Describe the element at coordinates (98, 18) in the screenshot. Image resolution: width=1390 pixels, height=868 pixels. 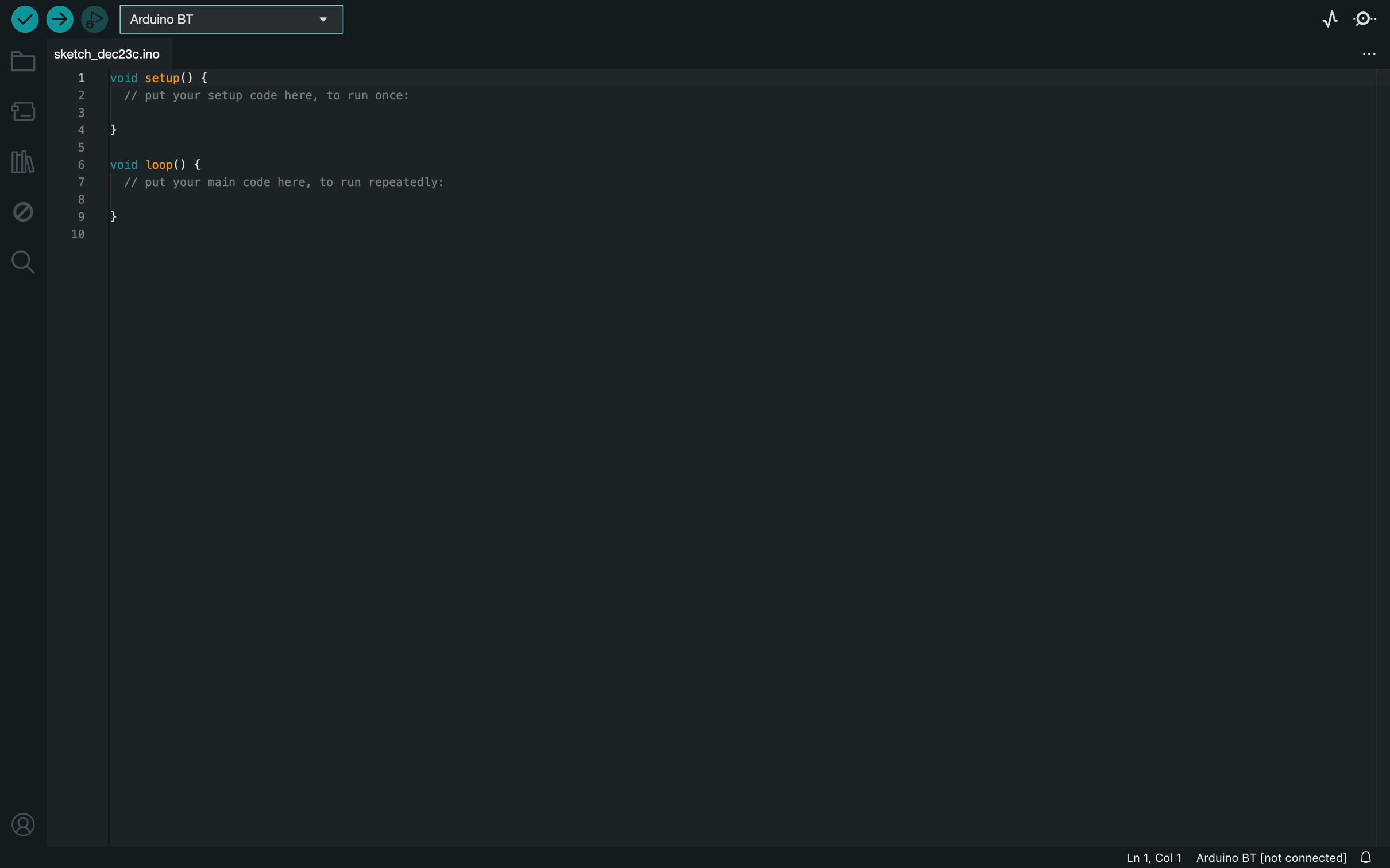
I see `debugger` at that location.